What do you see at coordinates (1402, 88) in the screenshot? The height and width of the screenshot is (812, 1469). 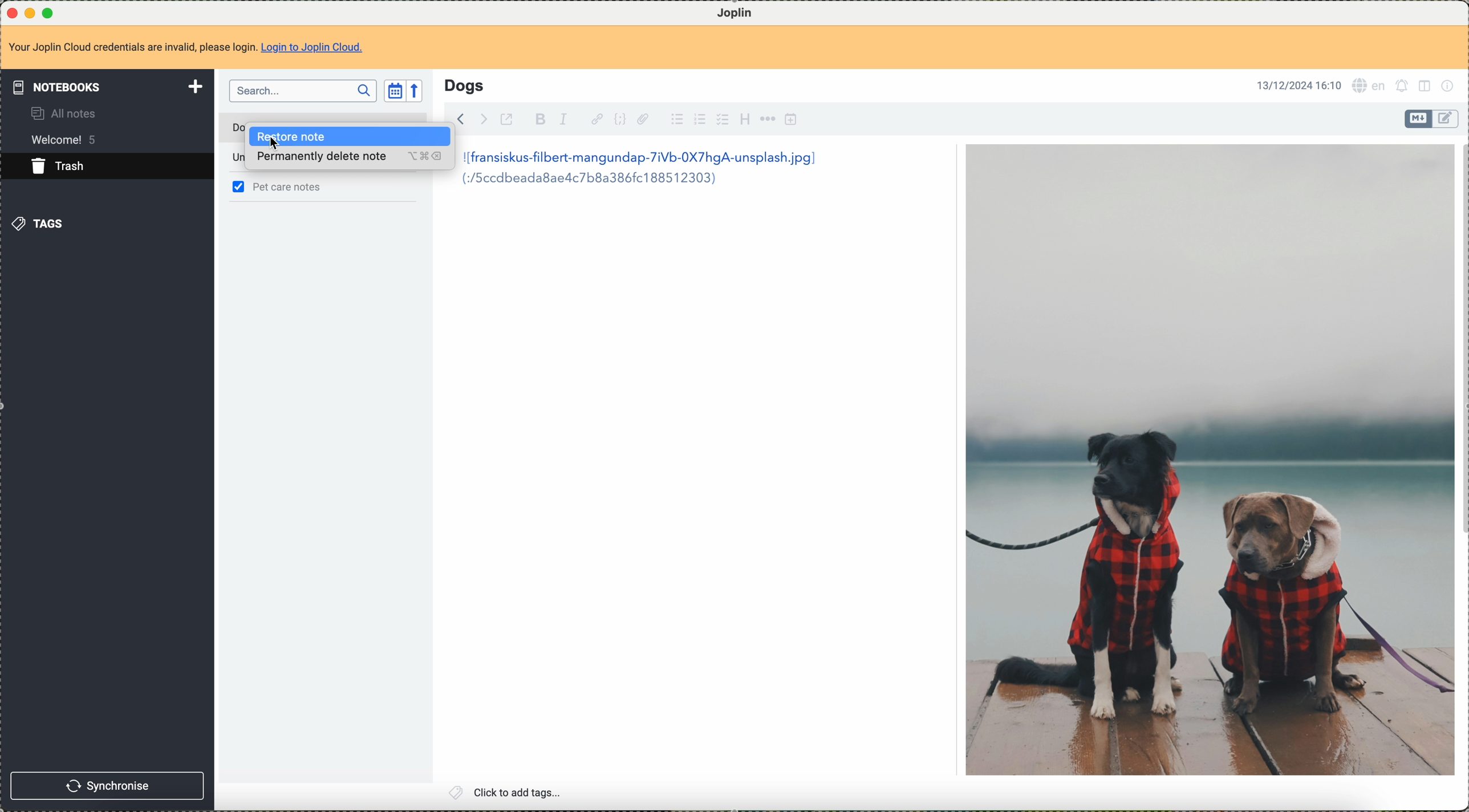 I see `set alarm` at bounding box center [1402, 88].